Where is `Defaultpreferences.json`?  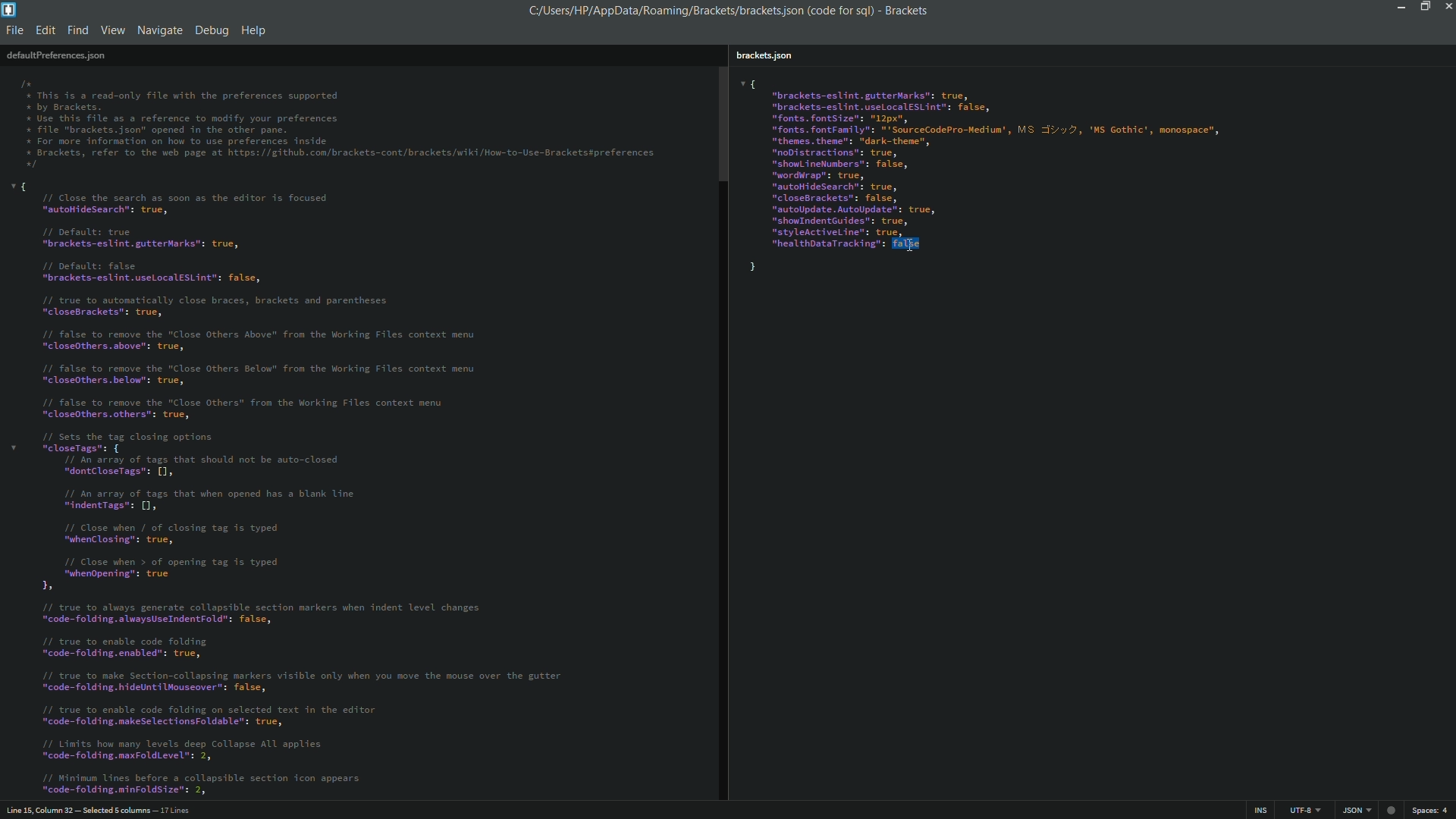
Defaultpreferences.json is located at coordinates (56, 55).